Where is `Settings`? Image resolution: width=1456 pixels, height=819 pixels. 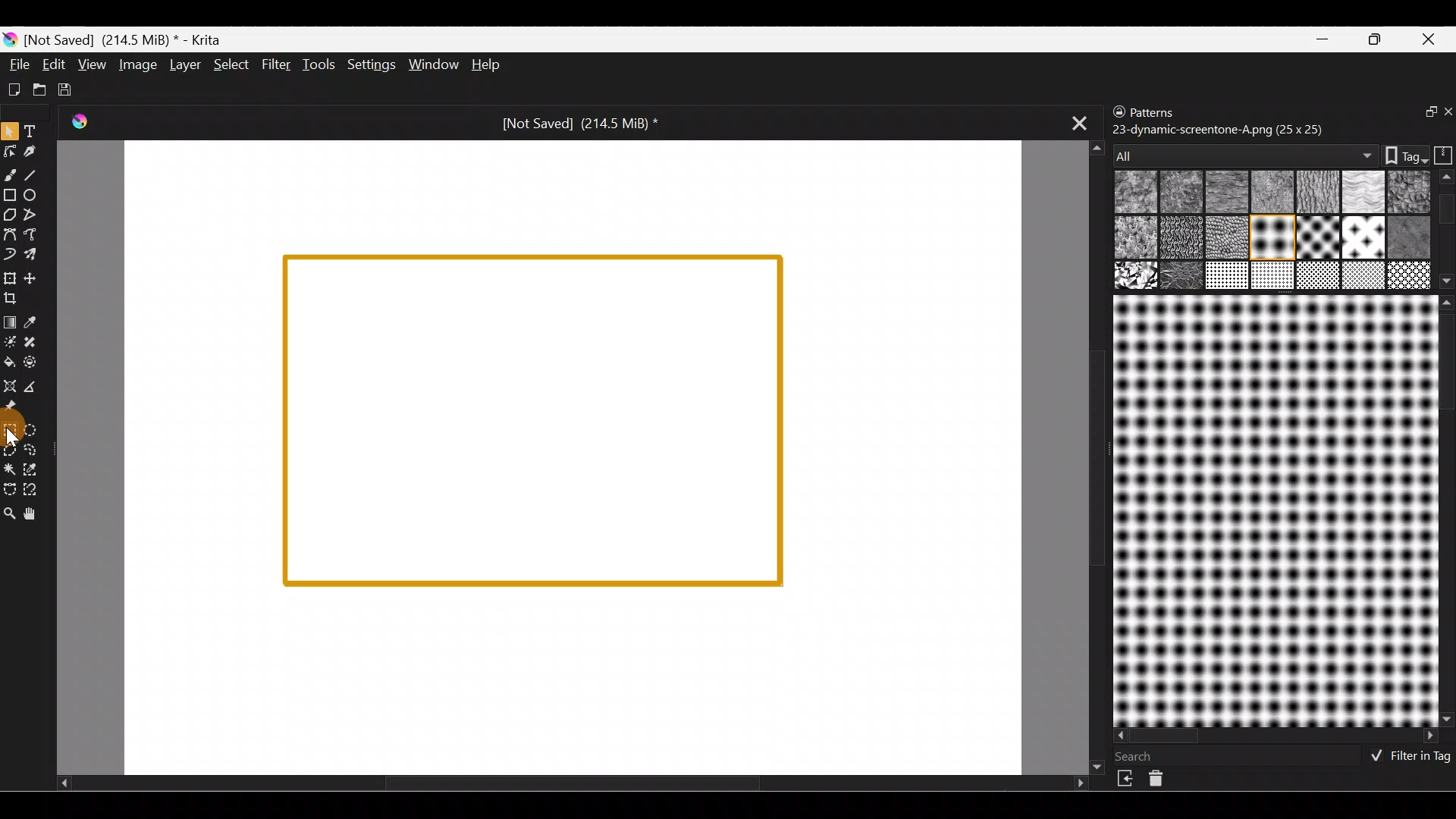 Settings is located at coordinates (369, 65).